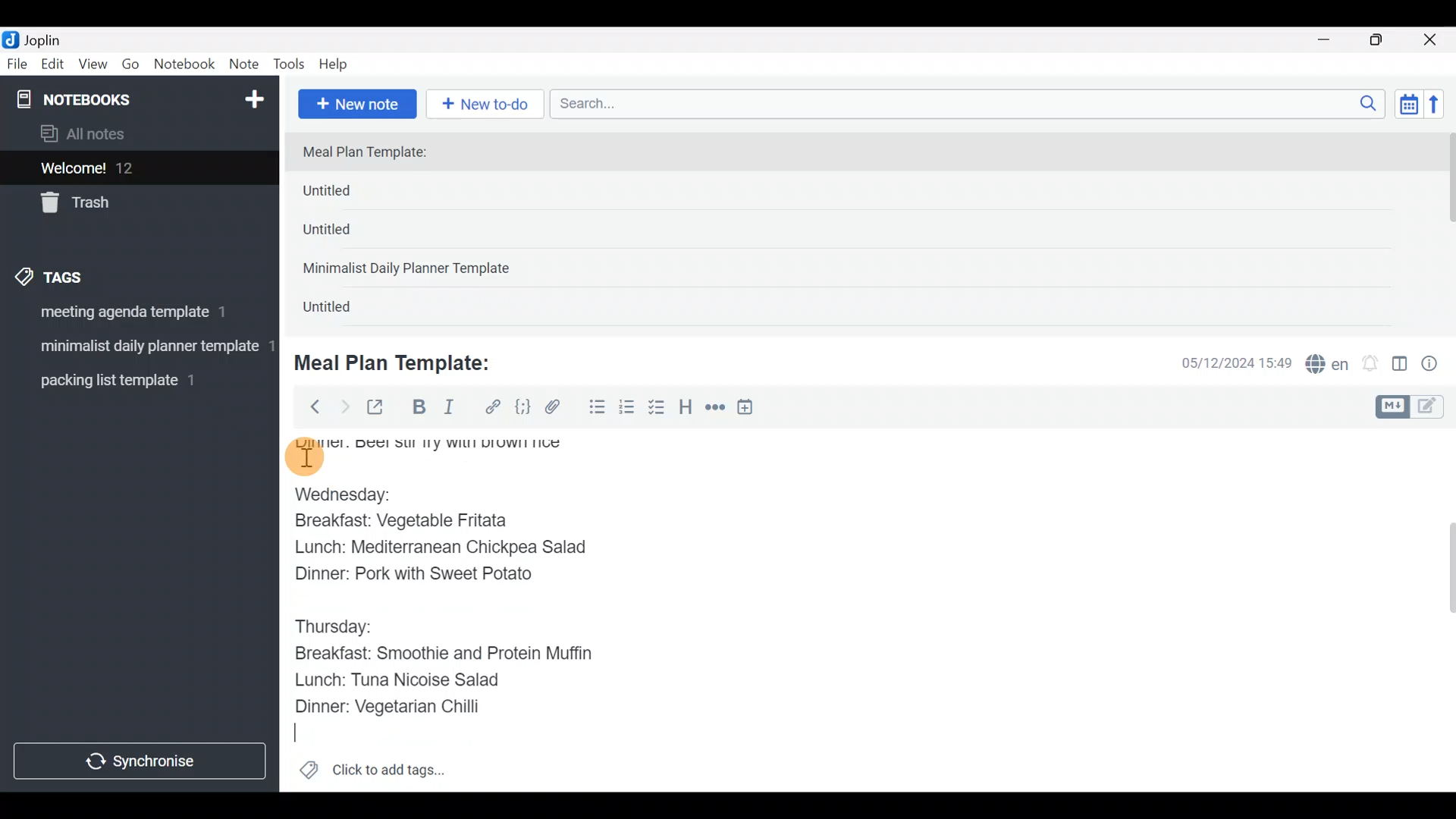  I want to click on Note properties, so click(1436, 365).